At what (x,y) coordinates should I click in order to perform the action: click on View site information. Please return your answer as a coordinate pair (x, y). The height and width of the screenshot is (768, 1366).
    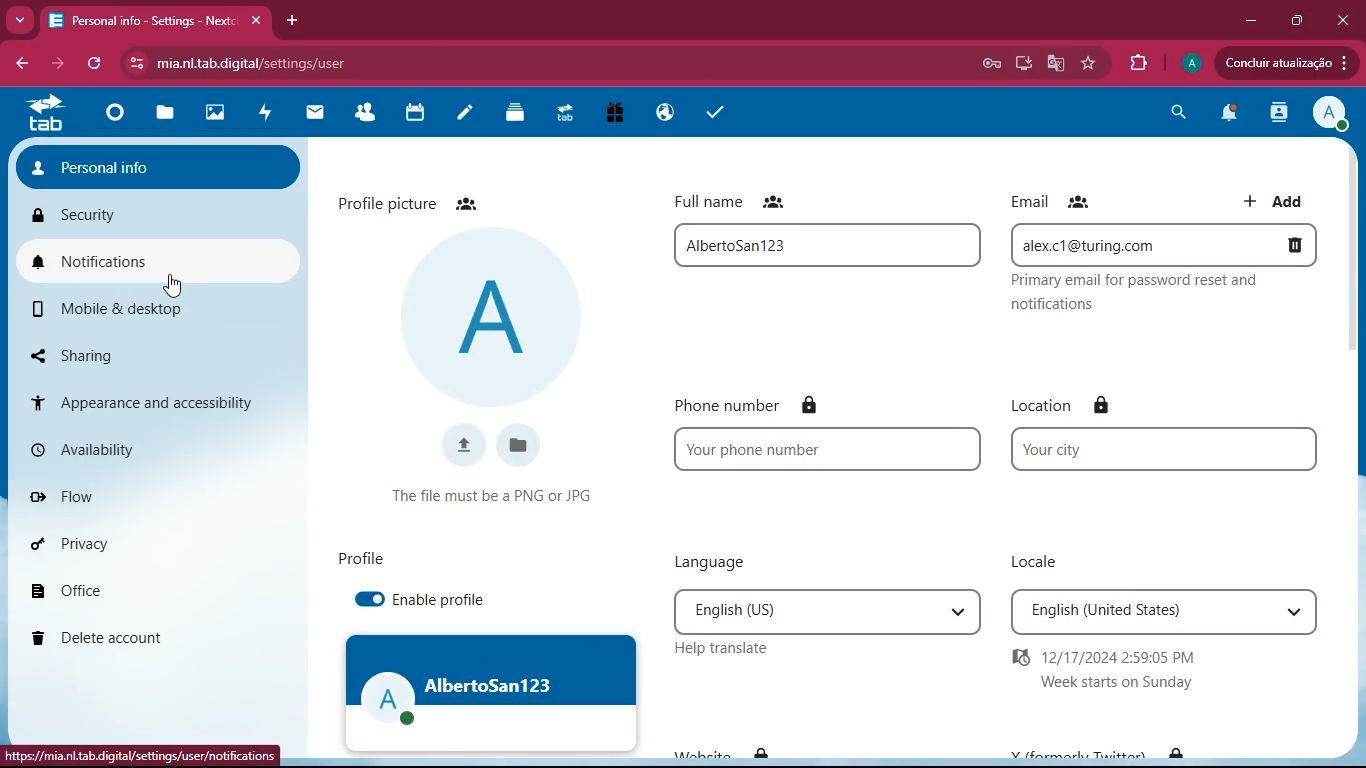
    Looking at the image, I should click on (136, 65).